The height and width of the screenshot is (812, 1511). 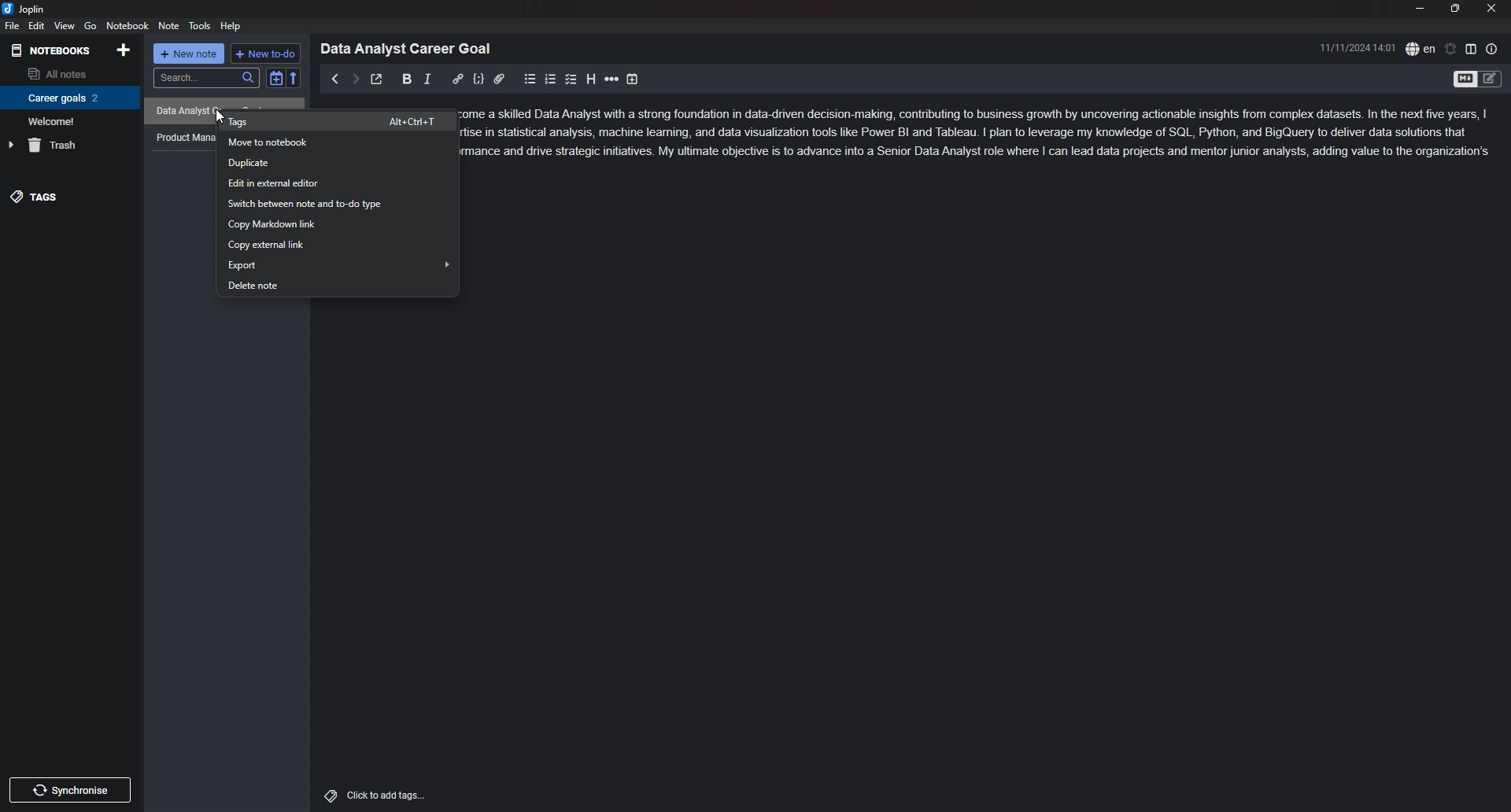 What do you see at coordinates (91, 26) in the screenshot?
I see `go` at bounding box center [91, 26].